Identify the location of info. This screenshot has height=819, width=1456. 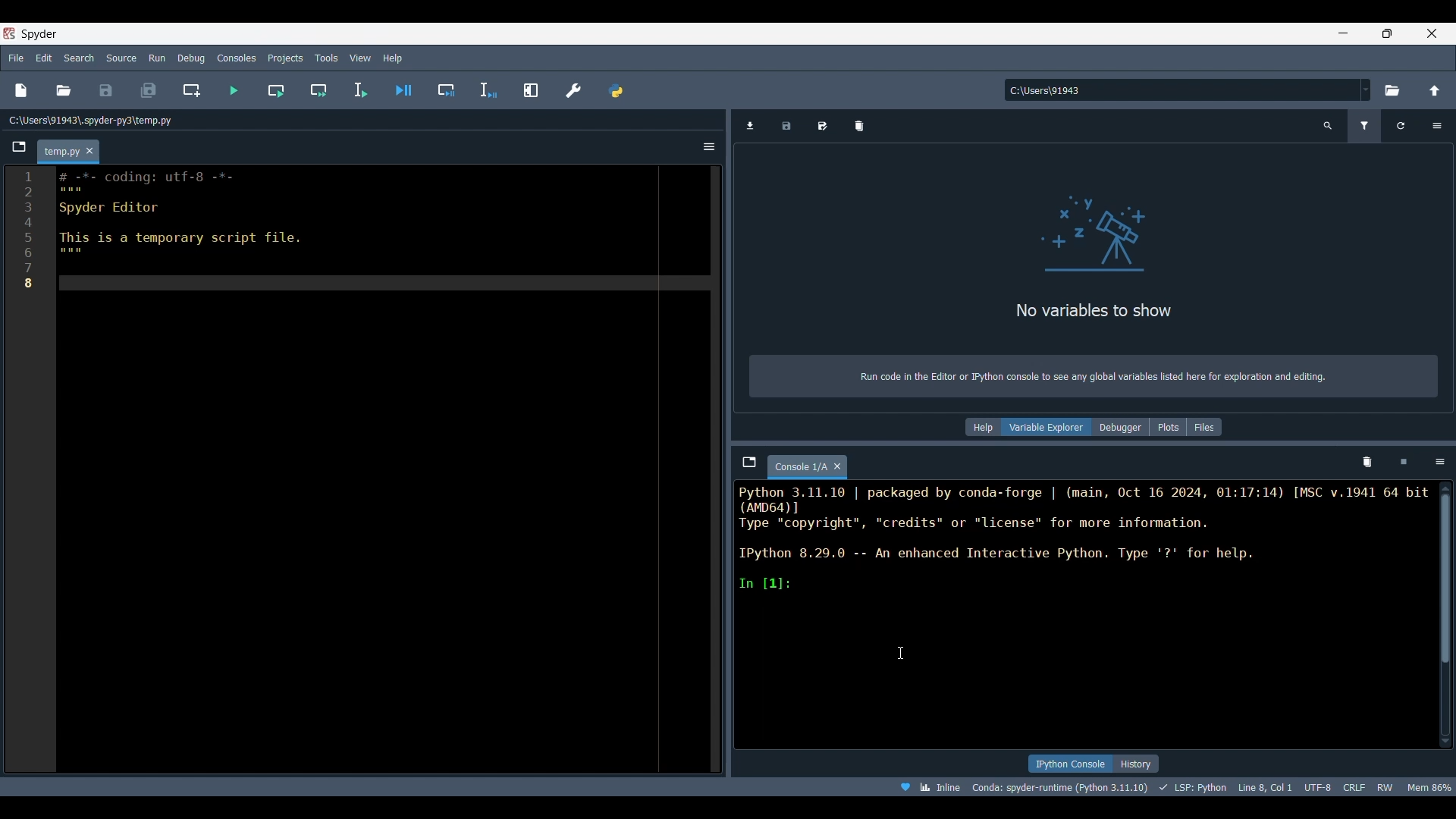
(1090, 378).